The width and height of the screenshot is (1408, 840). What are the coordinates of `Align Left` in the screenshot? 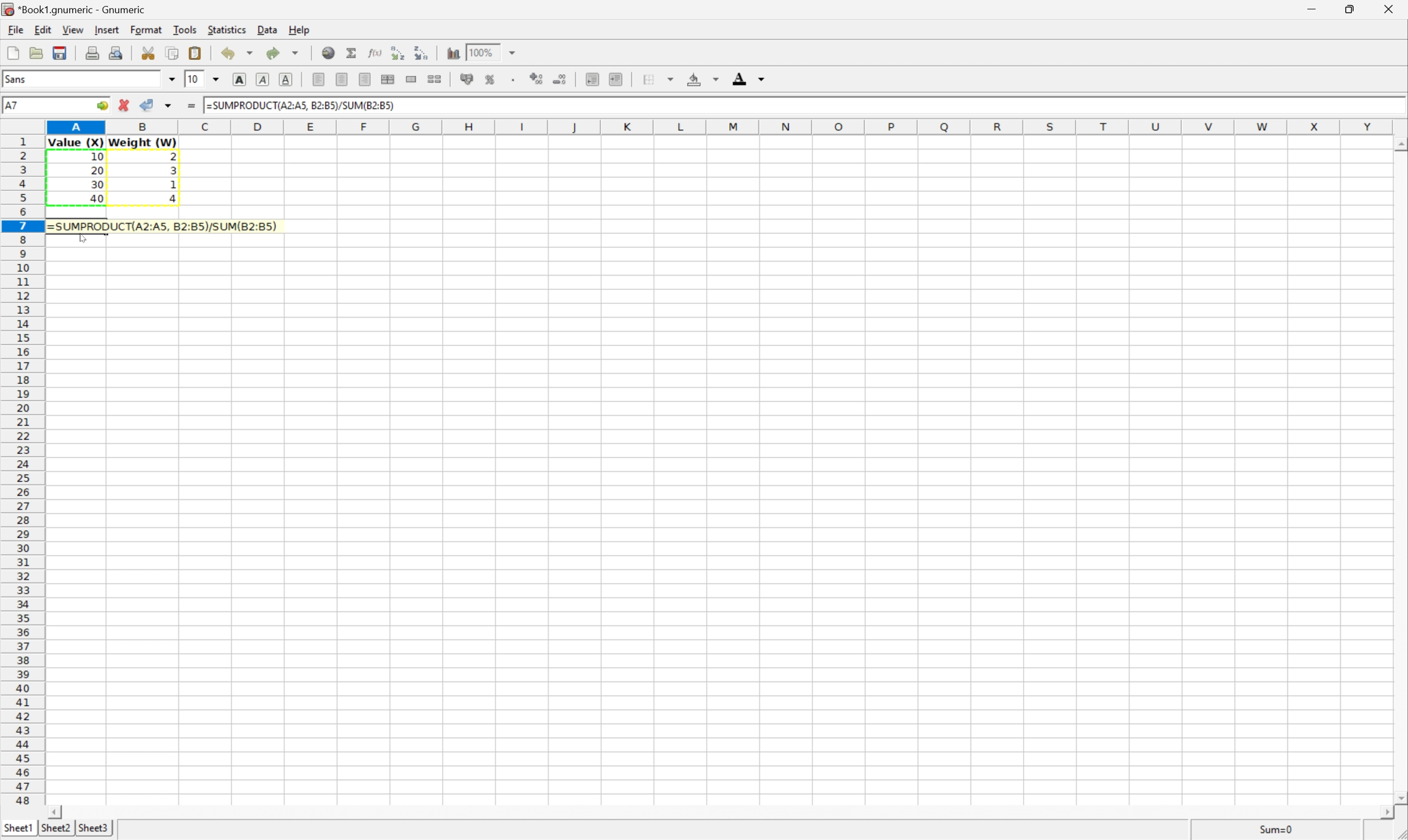 It's located at (319, 79).